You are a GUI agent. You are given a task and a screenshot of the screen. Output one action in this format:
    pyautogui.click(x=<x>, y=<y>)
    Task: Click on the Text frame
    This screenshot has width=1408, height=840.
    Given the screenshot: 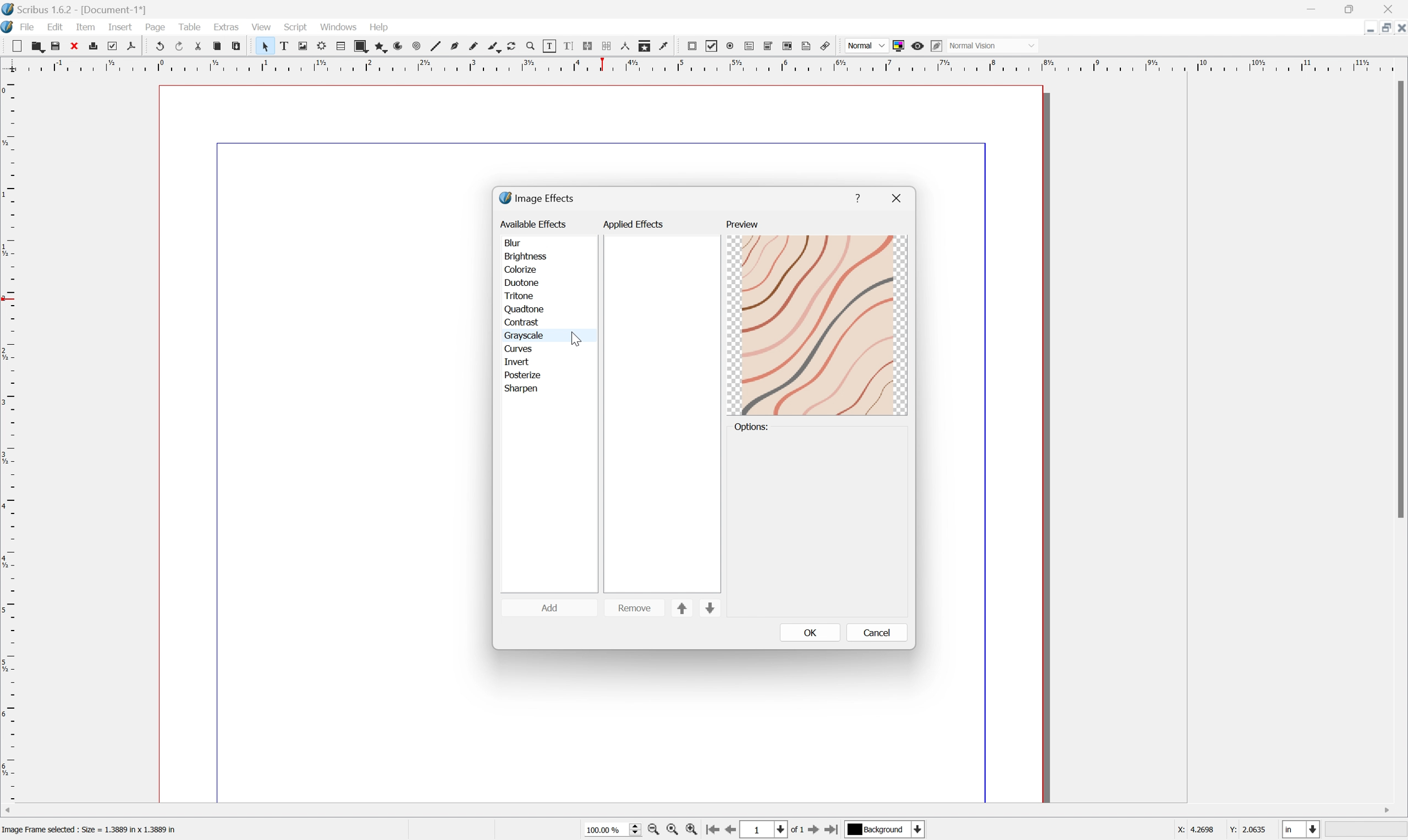 What is the action you would take?
    pyautogui.click(x=289, y=45)
    